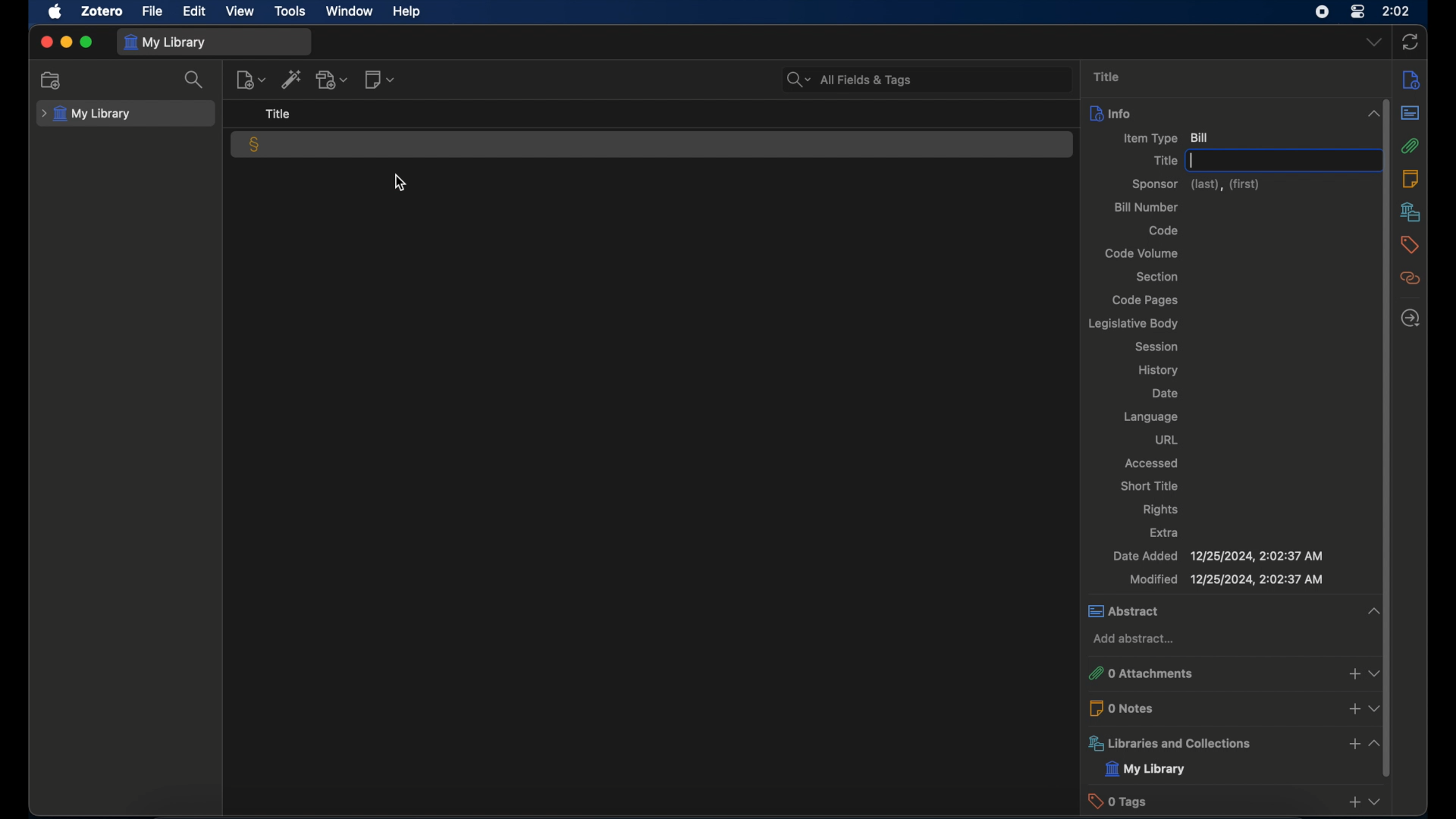  What do you see at coordinates (1164, 533) in the screenshot?
I see `extra` at bounding box center [1164, 533].